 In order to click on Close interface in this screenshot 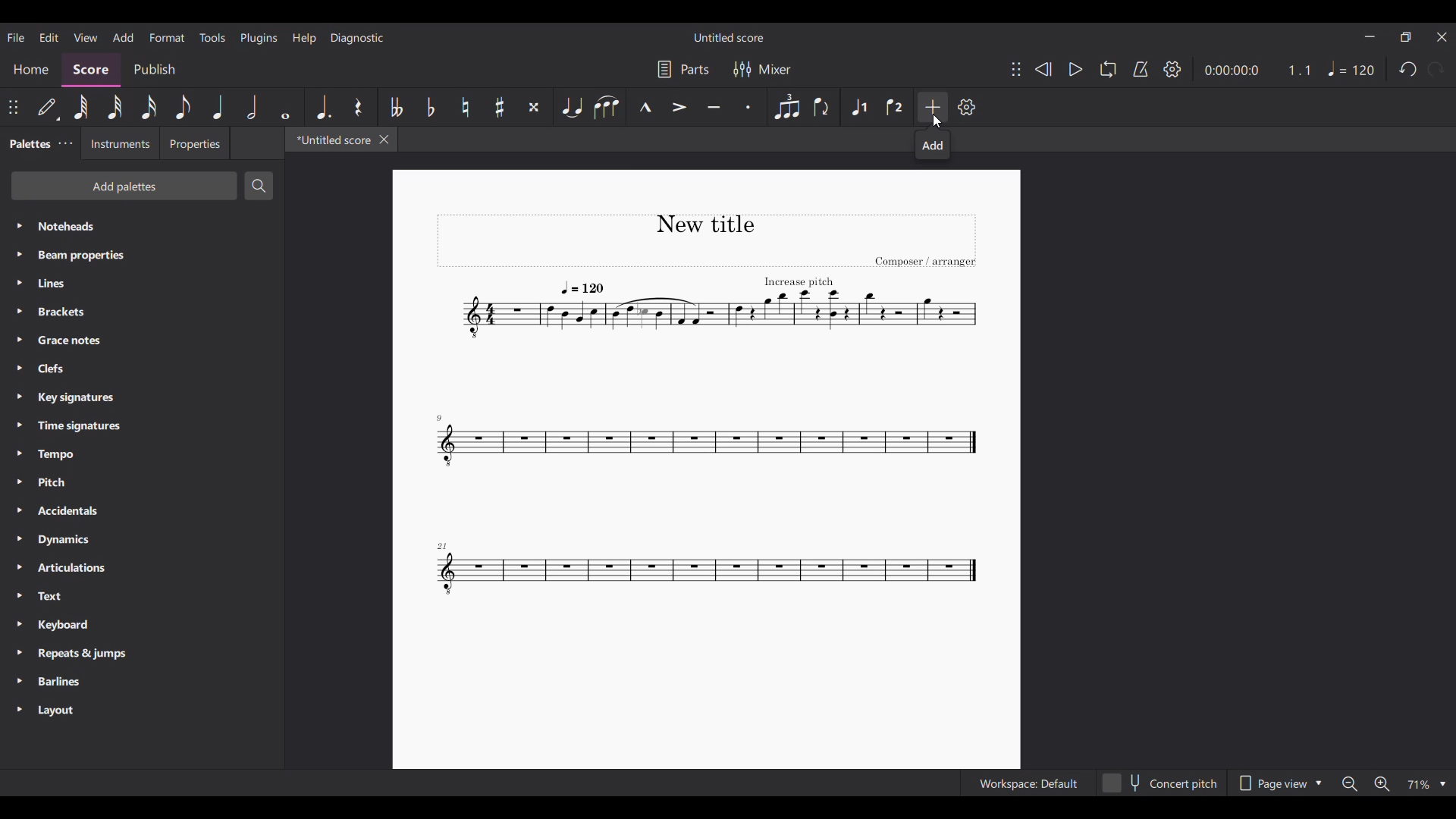, I will do `click(1442, 38)`.